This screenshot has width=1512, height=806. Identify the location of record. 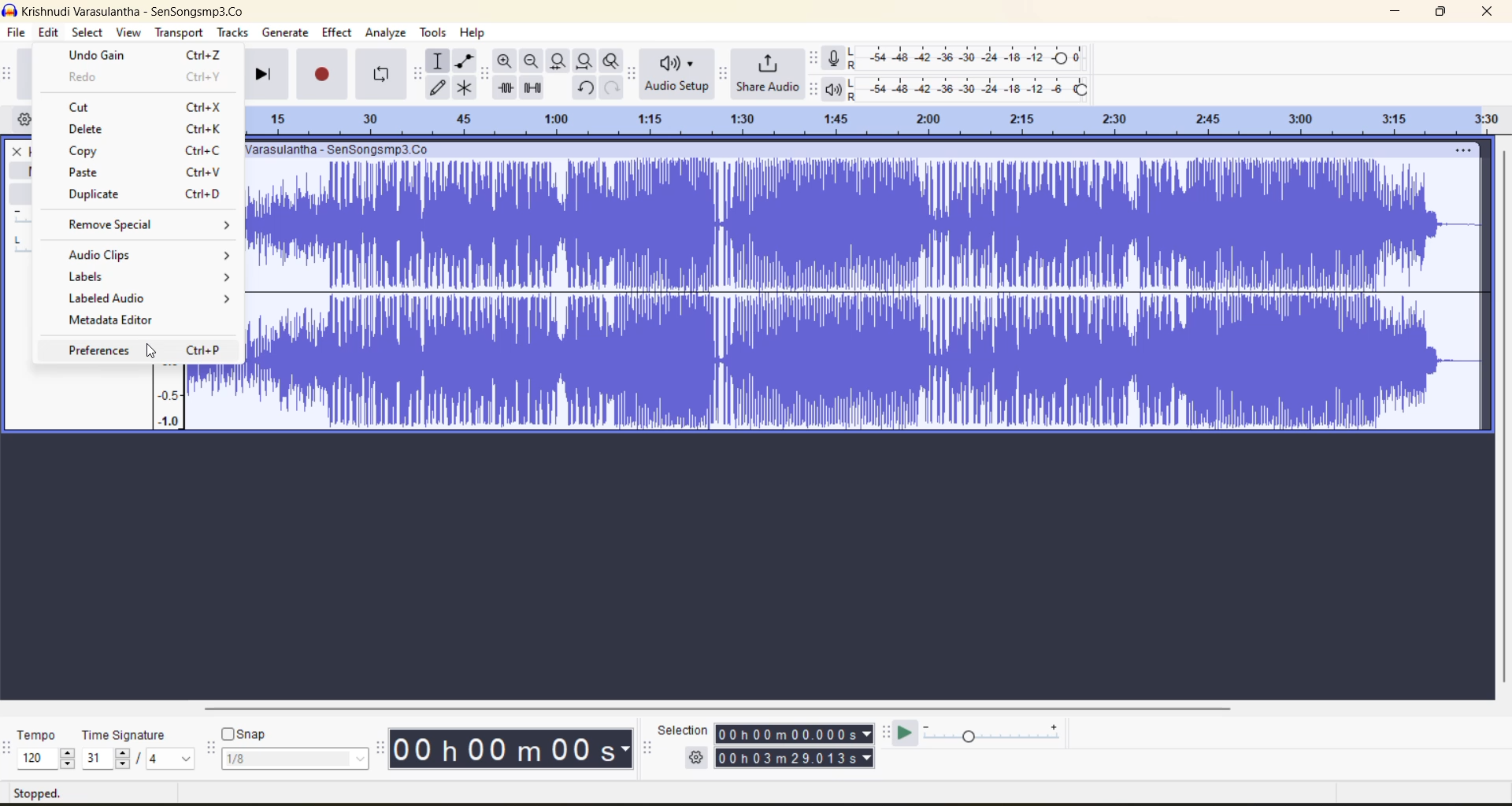
(324, 73).